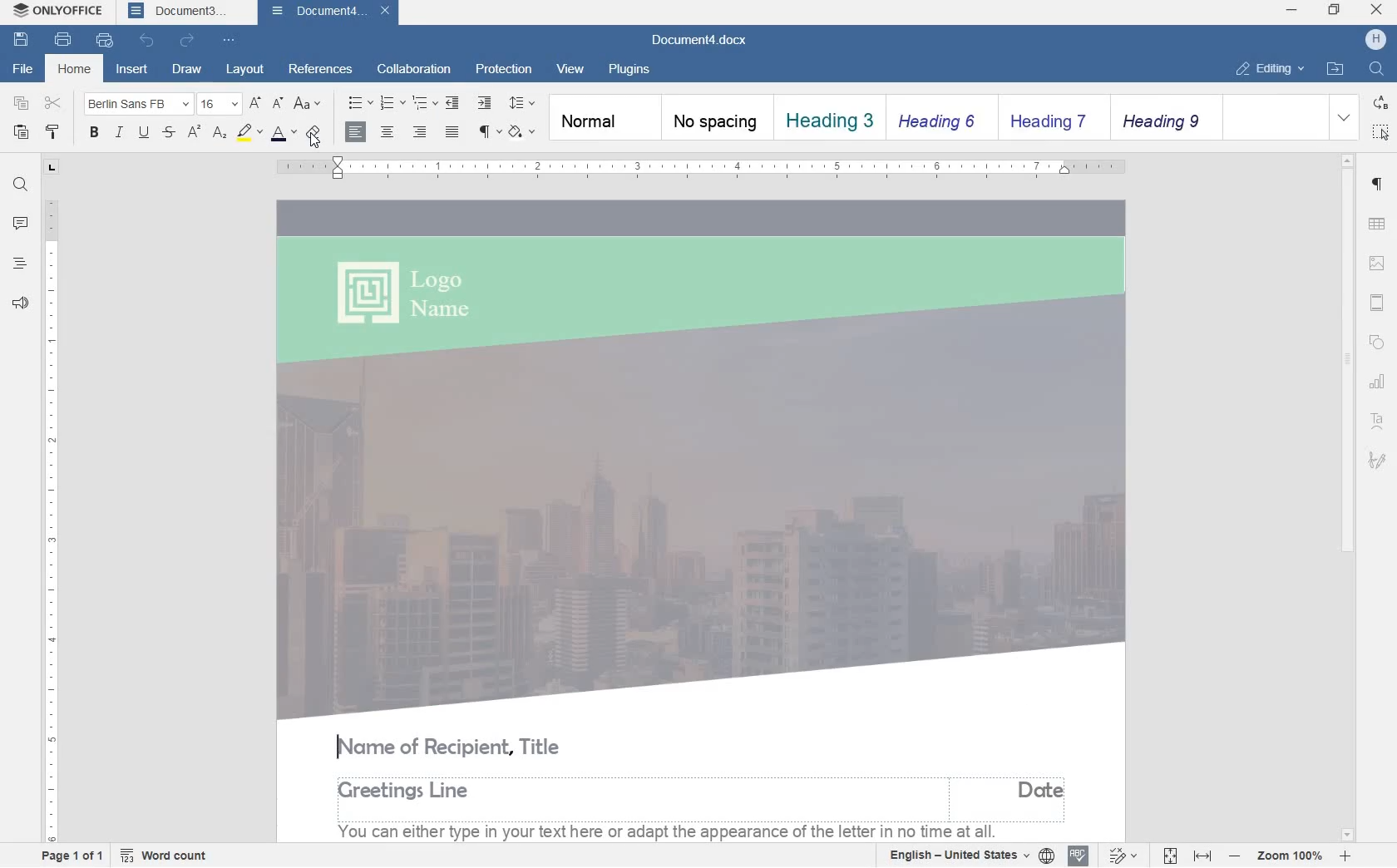 The height and width of the screenshot is (868, 1397). What do you see at coordinates (1380, 102) in the screenshot?
I see `replace` at bounding box center [1380, 102].